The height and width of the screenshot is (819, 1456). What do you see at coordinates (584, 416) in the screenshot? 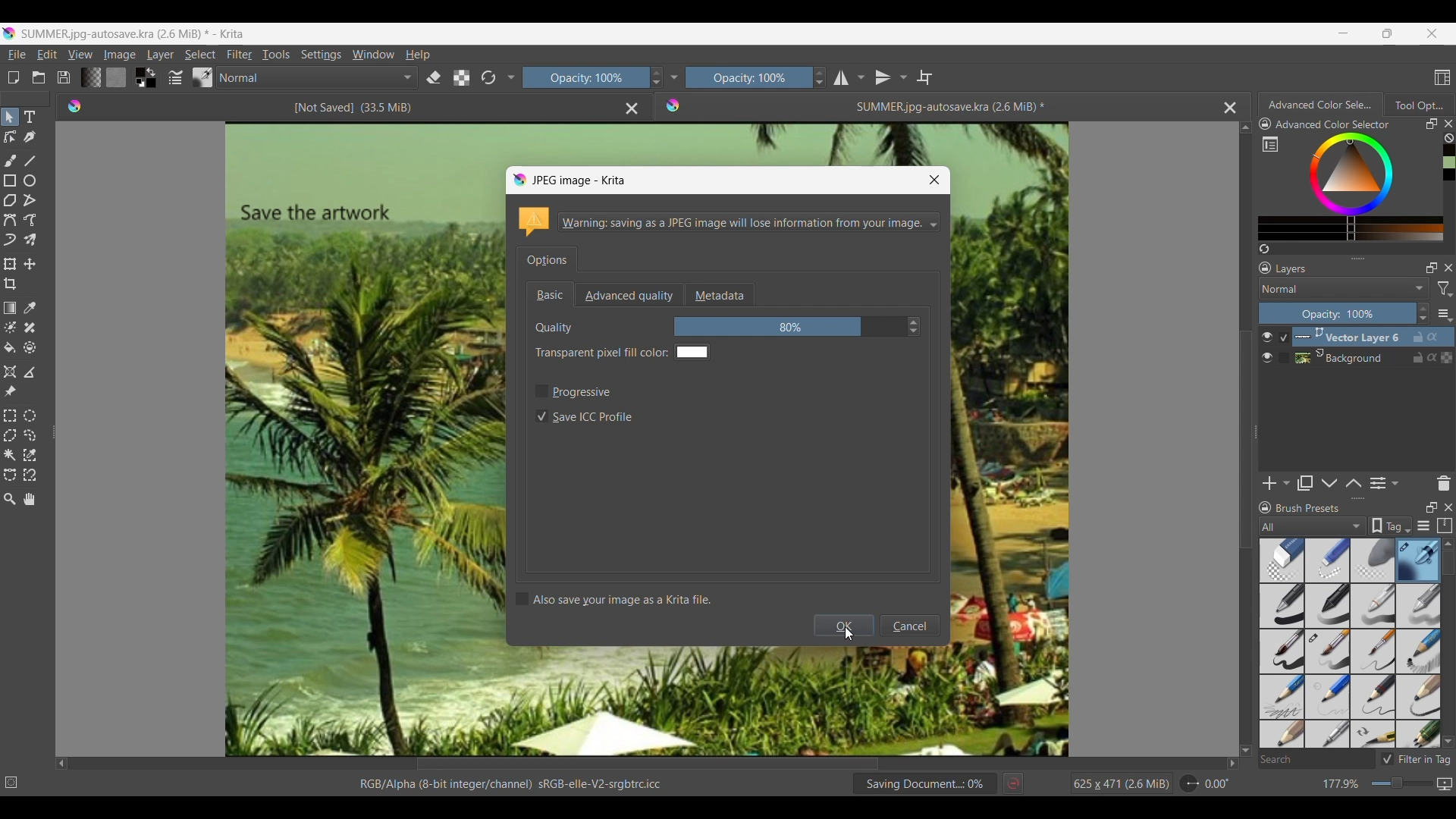
I see `Toggle for Save ICC profile` at bounding box center [584, 416].